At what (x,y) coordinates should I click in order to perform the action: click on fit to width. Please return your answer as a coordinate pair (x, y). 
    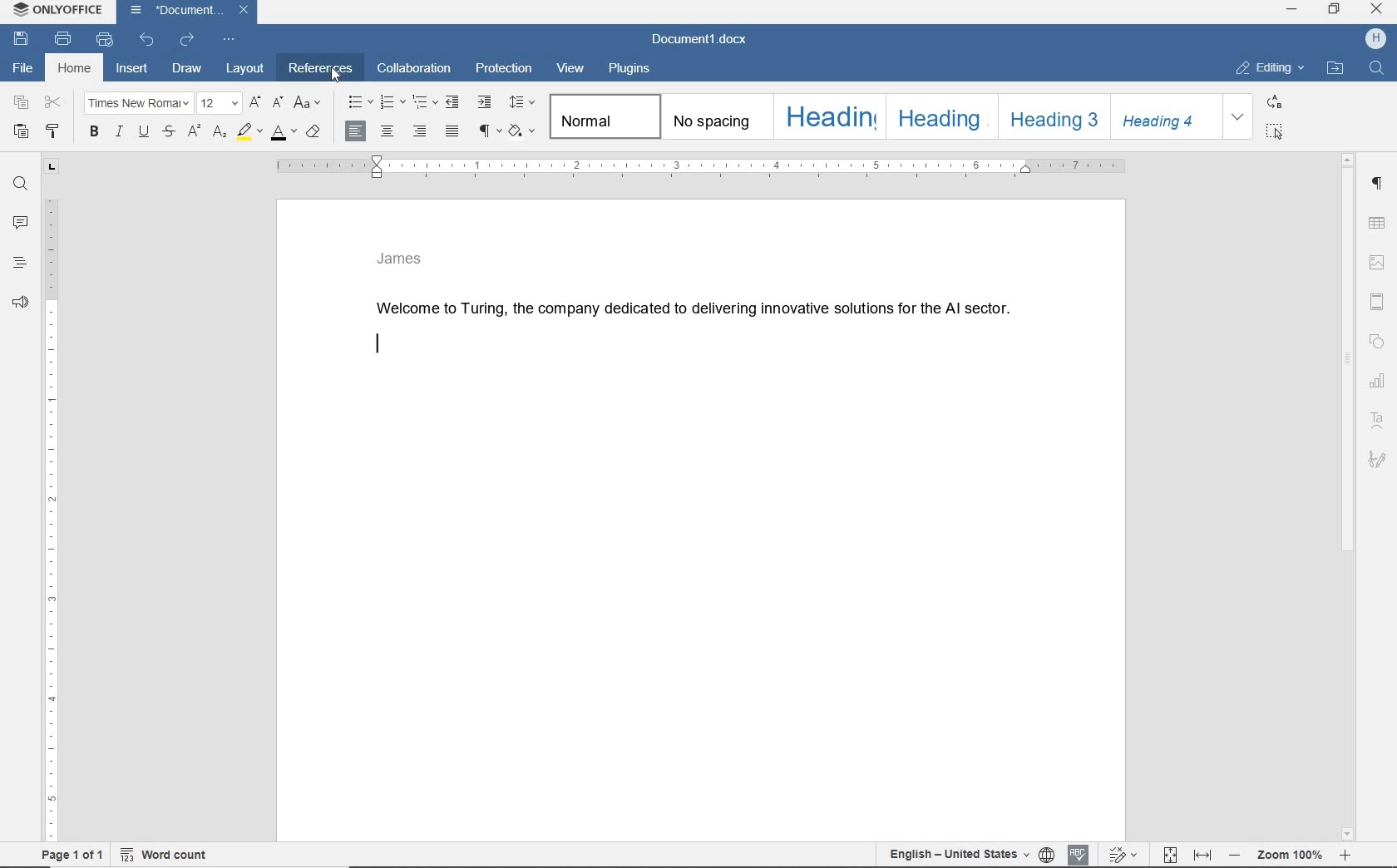
    Looking at the image, I should click on (1202, 854).